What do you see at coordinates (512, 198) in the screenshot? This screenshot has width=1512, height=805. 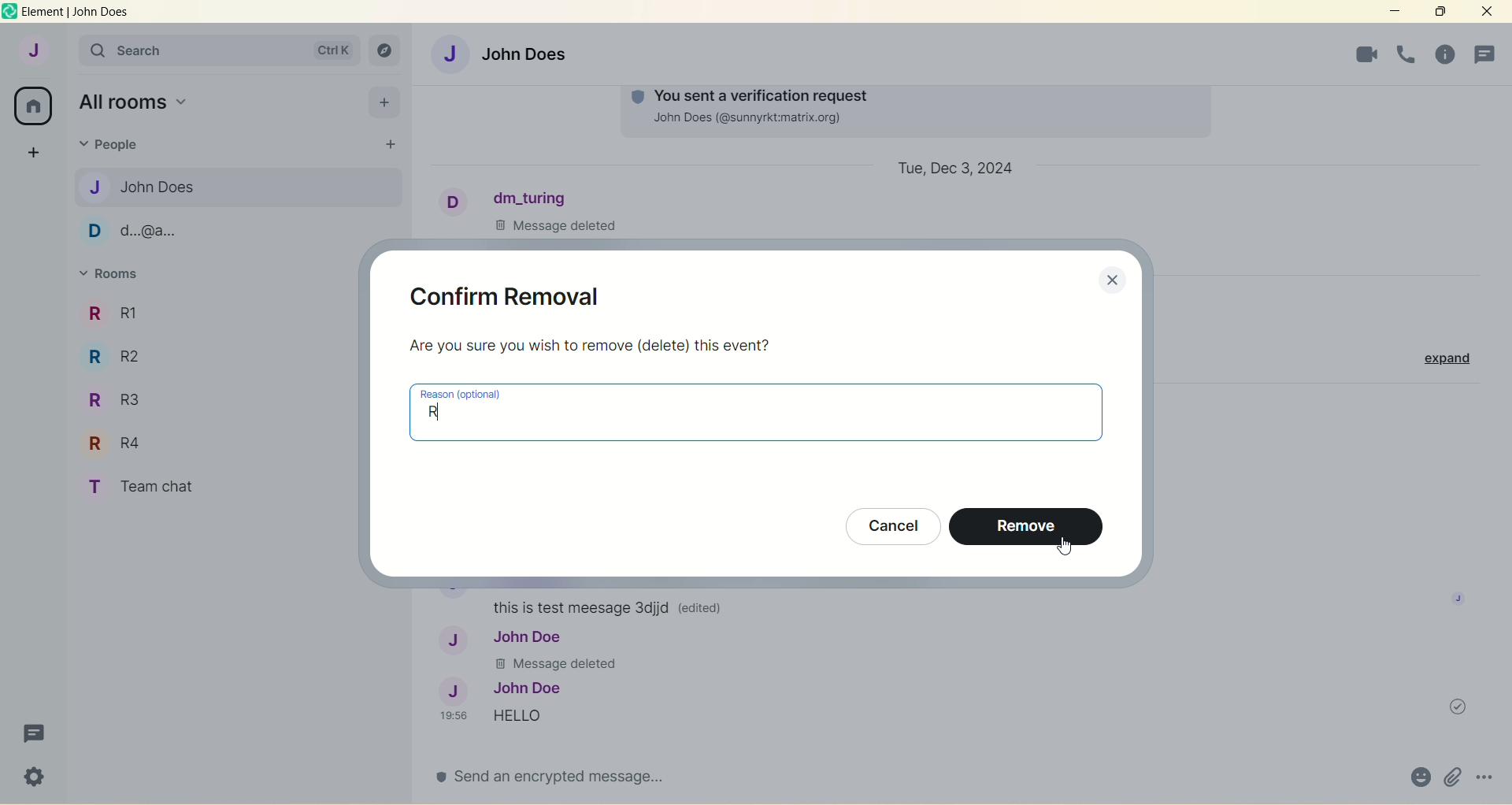 I see `dm_turing` at bounding box center [512, 198].